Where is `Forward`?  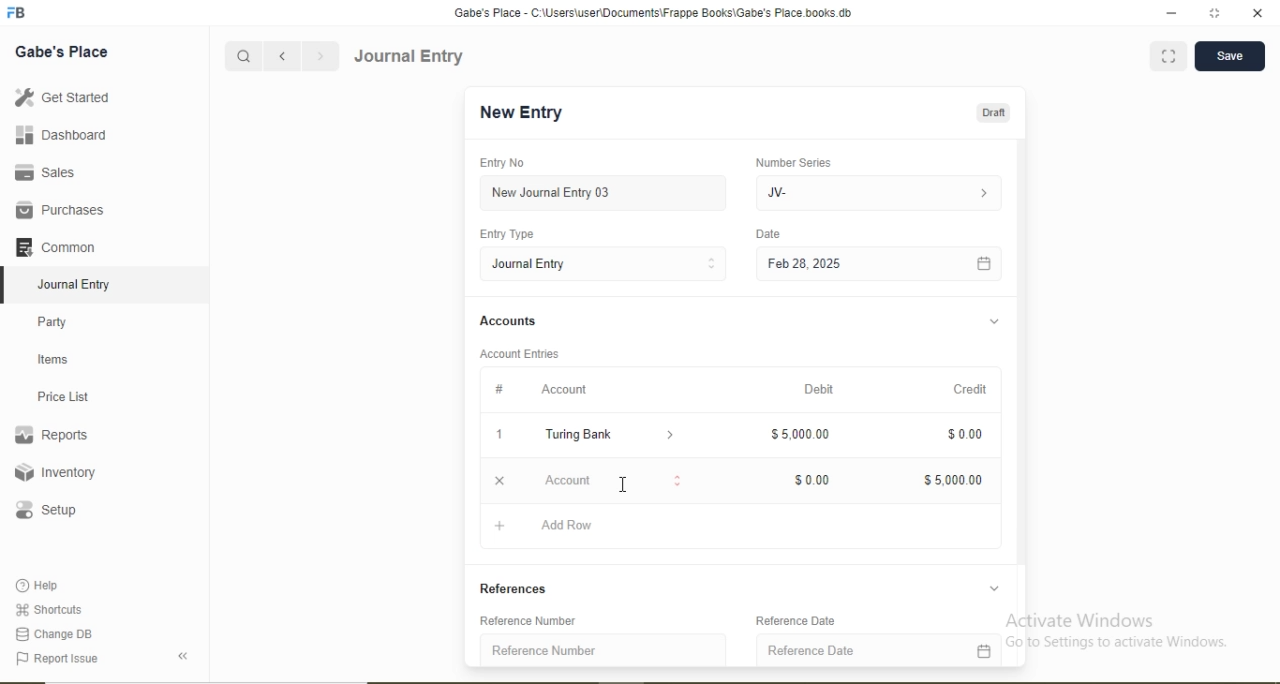 Forward is located at coordinates (321, 56).